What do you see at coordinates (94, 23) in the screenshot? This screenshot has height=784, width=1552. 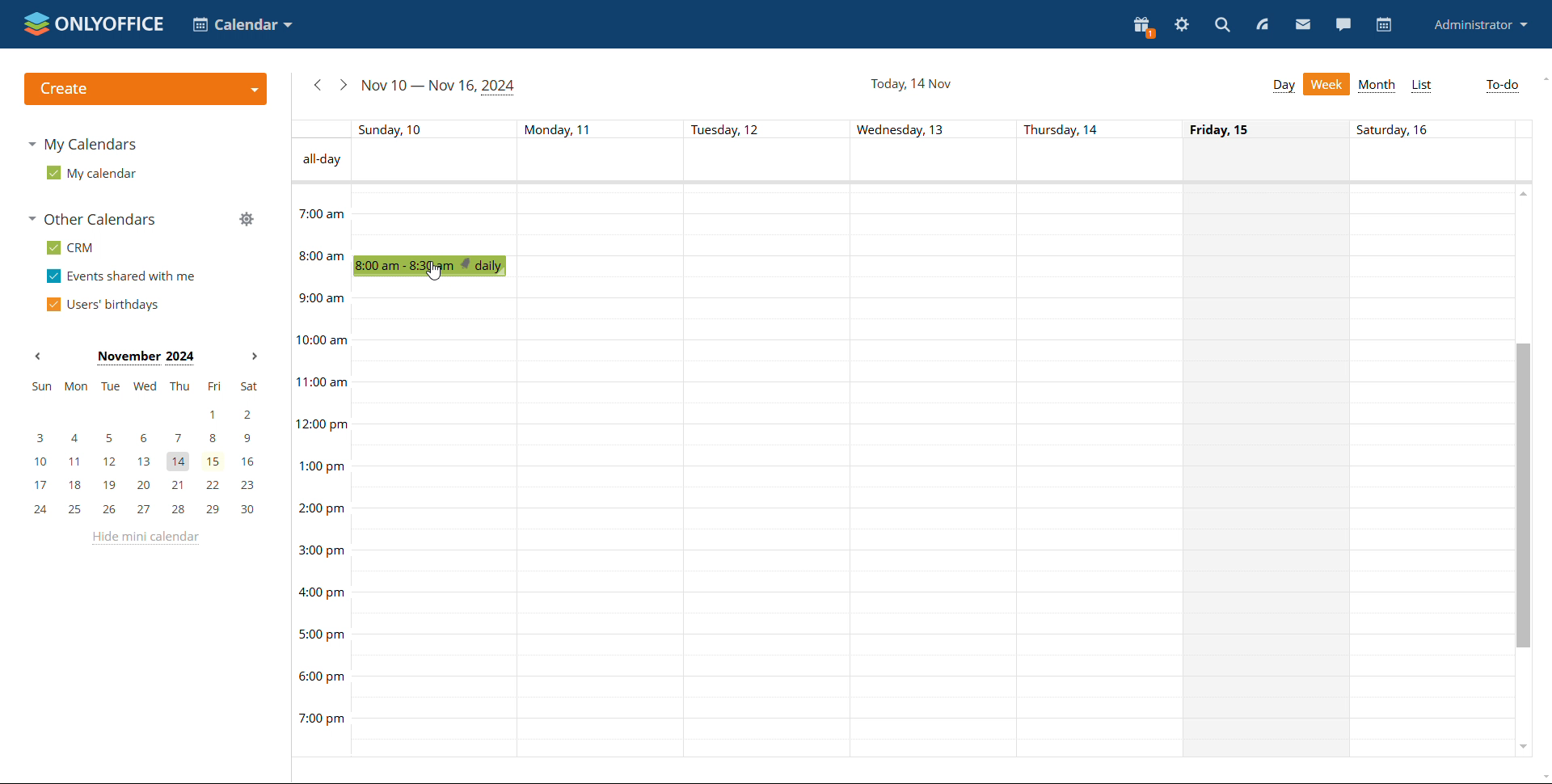 I see `logo` at bounding box center [94, 23].